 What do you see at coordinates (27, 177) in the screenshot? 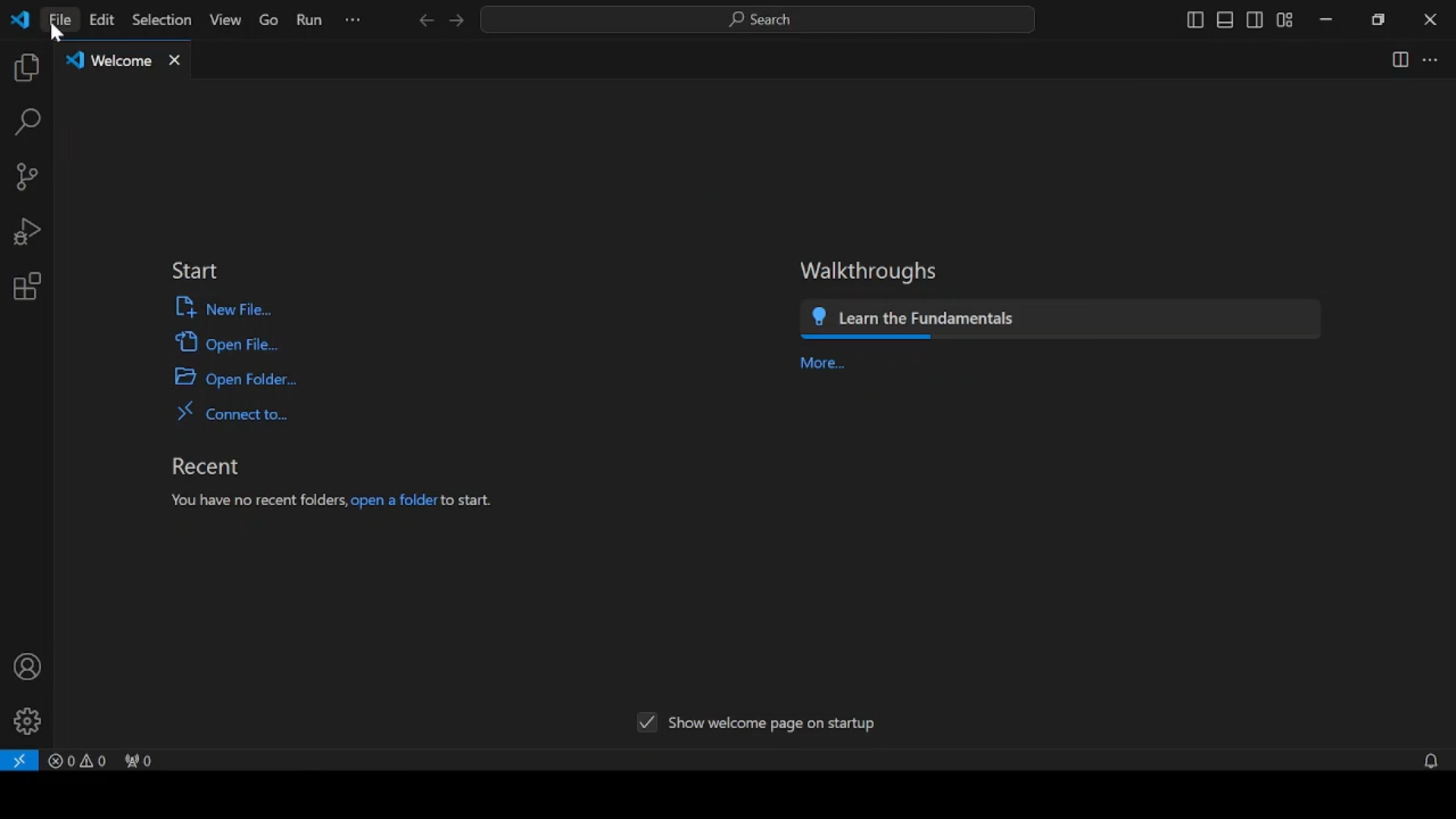
I see `source control` at bounding box center [27, 177].